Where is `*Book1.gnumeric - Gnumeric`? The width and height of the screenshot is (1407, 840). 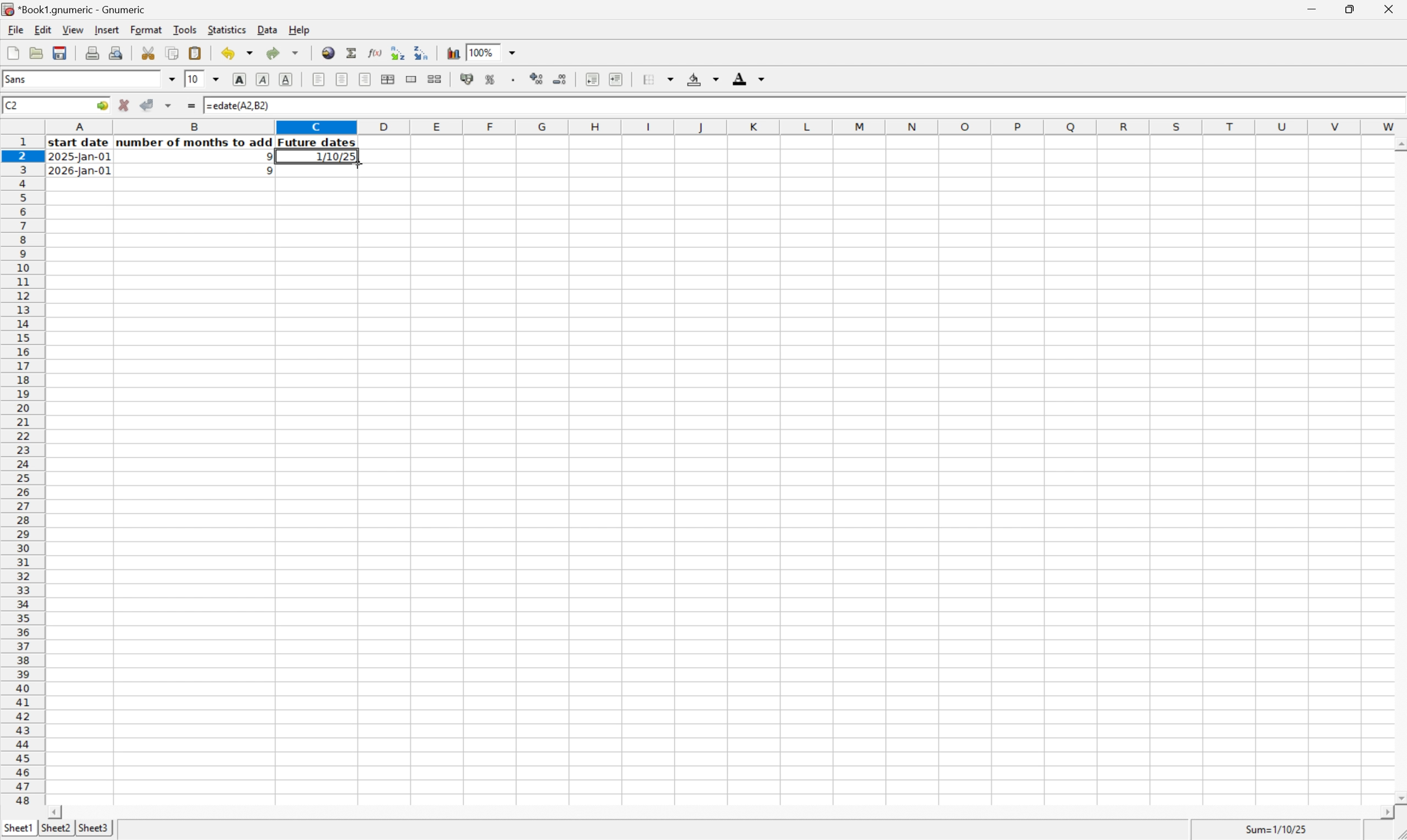
*Book1.gnumeric - Gnumeric is located at coordinates (76, 10).